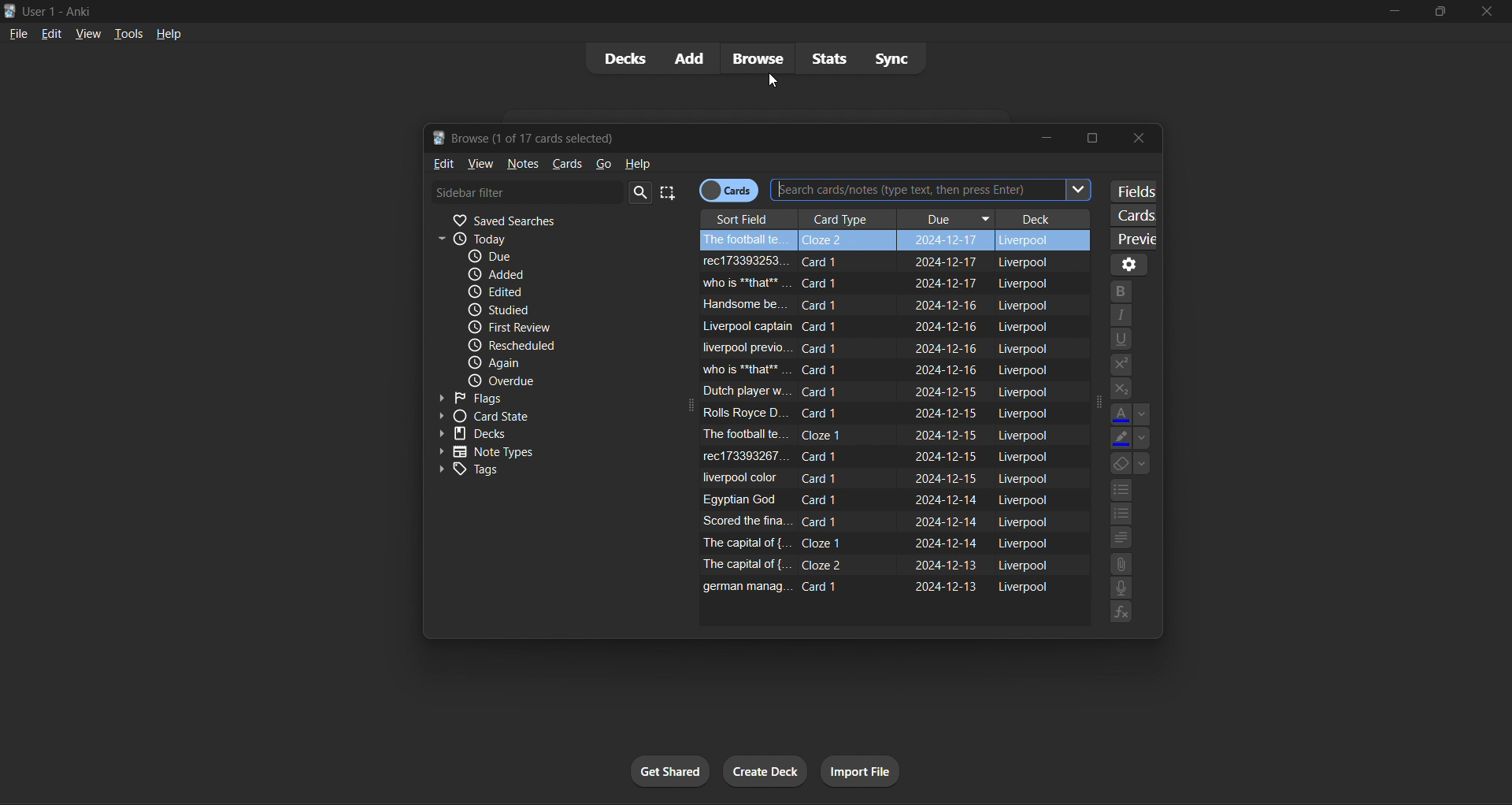 The width and height of the screenshot is (1512, 805). What do you see at coordinates (1032, 543) in the screenshot?
I see `liverpool` at bounding box center [1032, 543].